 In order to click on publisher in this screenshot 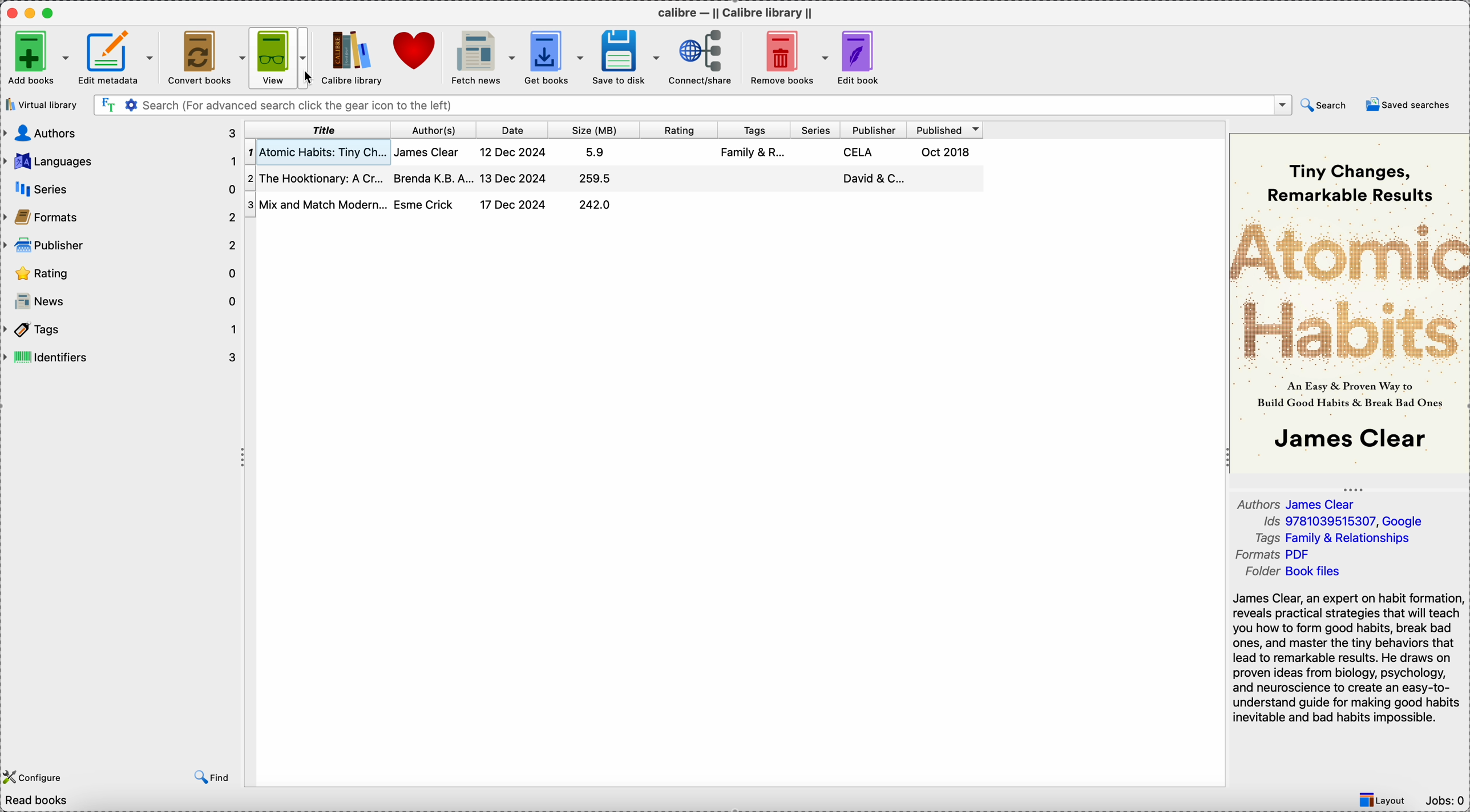, I will do `click(874, 128)`.